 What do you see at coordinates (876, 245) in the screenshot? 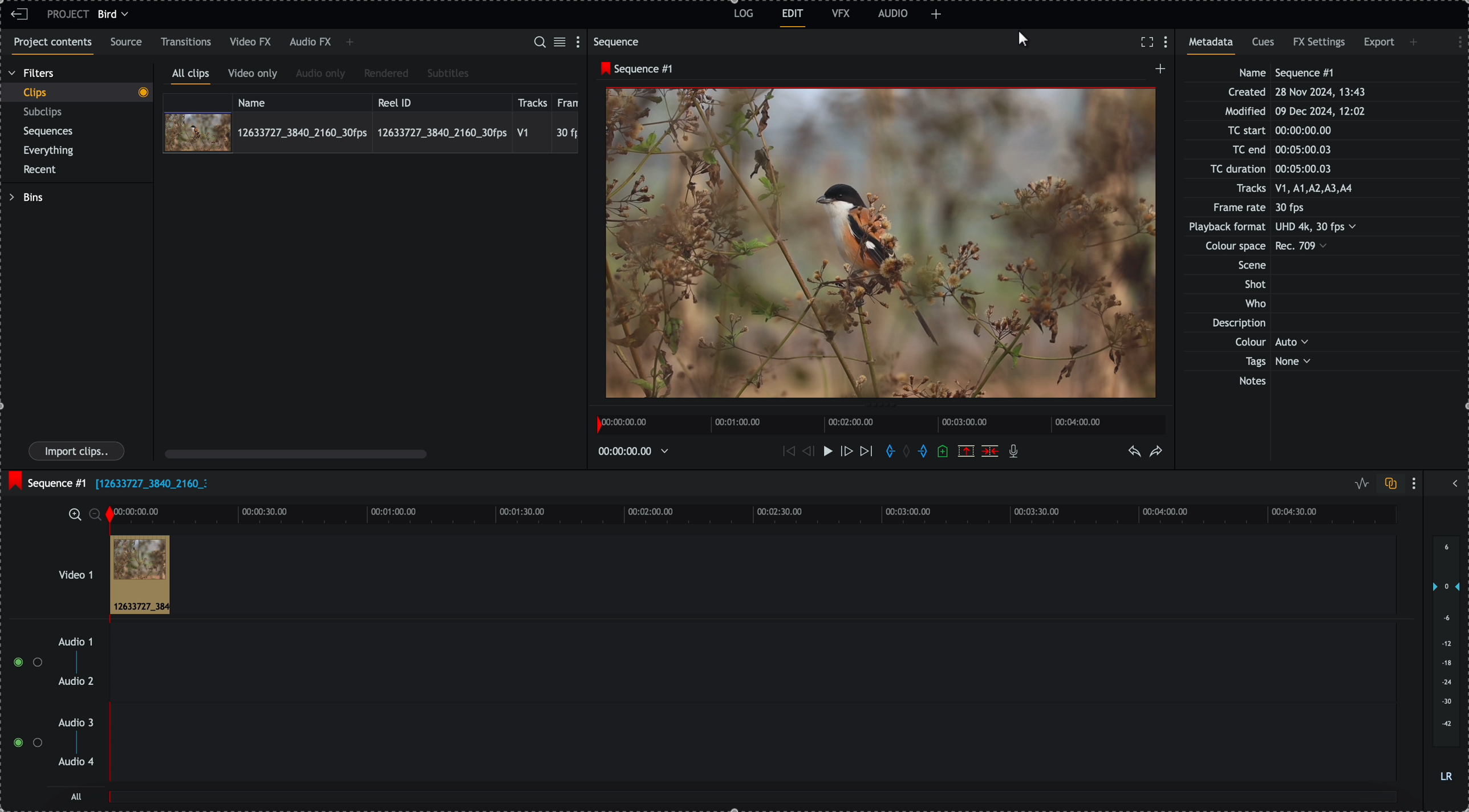
I see `video preview` at bounding box center [876, 245].